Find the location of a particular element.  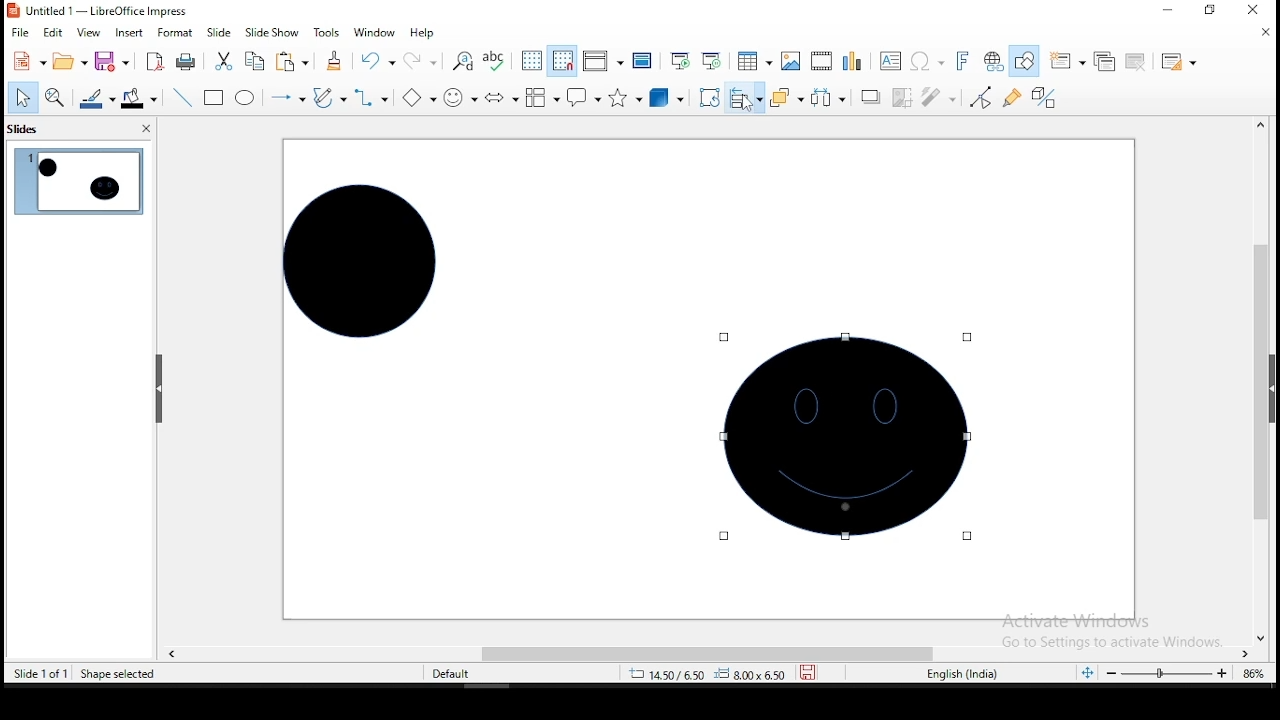

slides is located at coordinates (24, 131).